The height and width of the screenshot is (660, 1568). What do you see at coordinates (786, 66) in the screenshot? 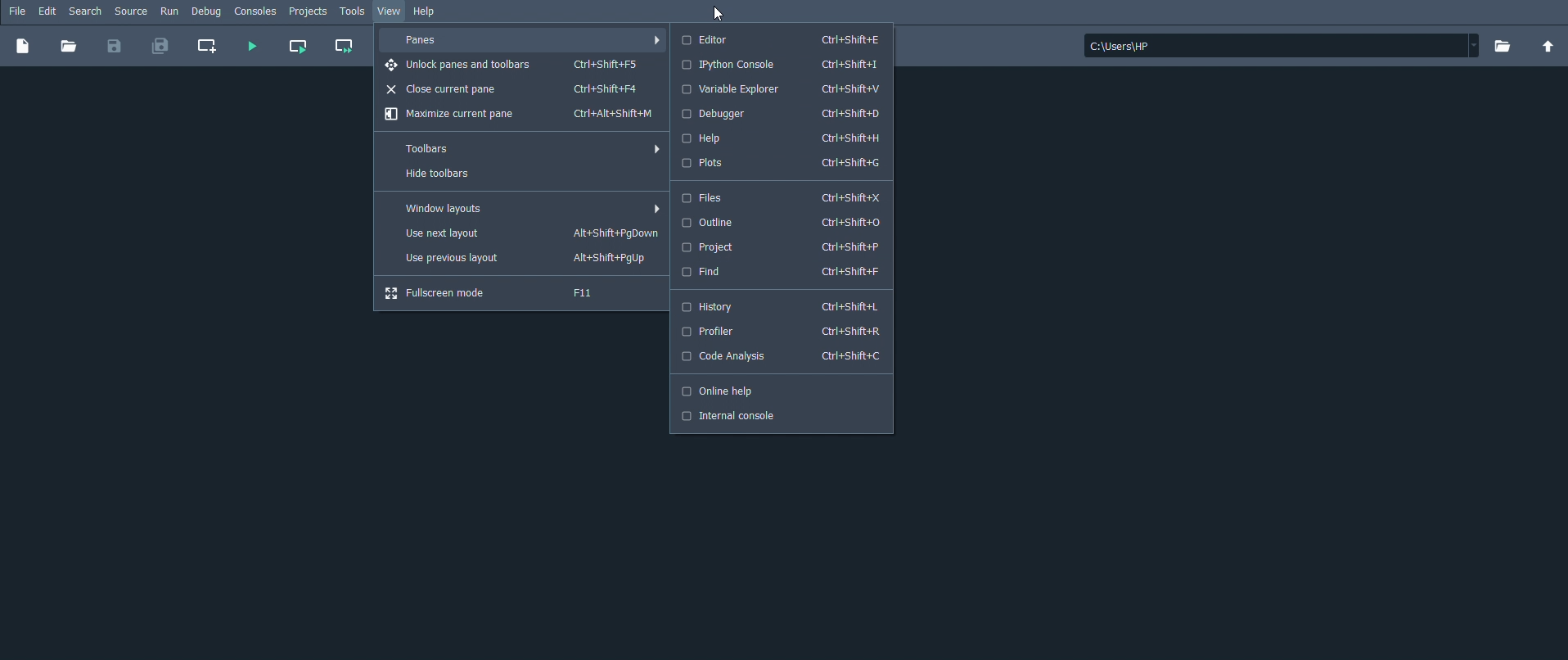
I see `IPython console` at bounding box center [786, 66].